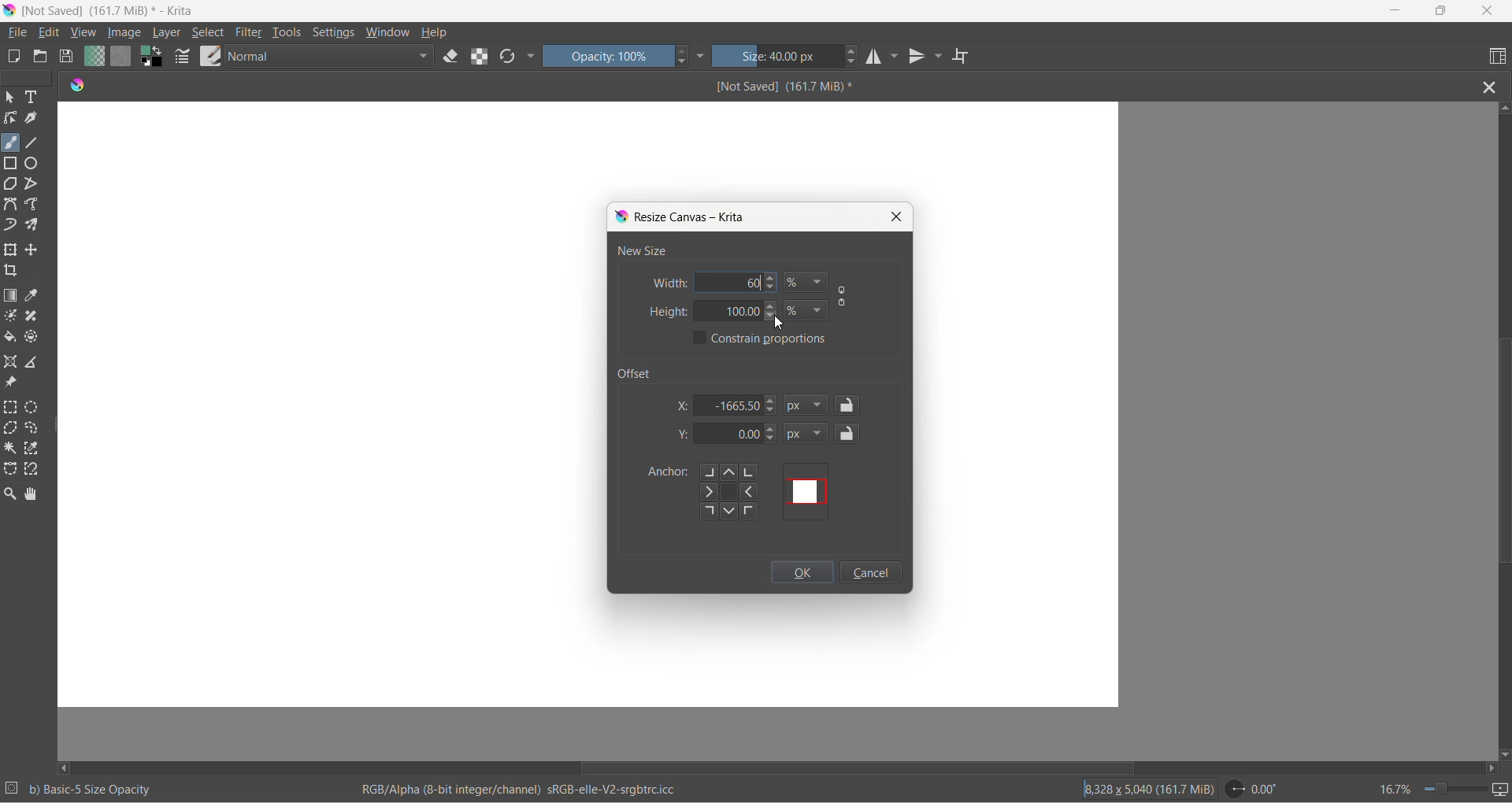 The height and width of the screenshot is (803, 1512). I want to click on y-axis value increment, so click(773, 430).